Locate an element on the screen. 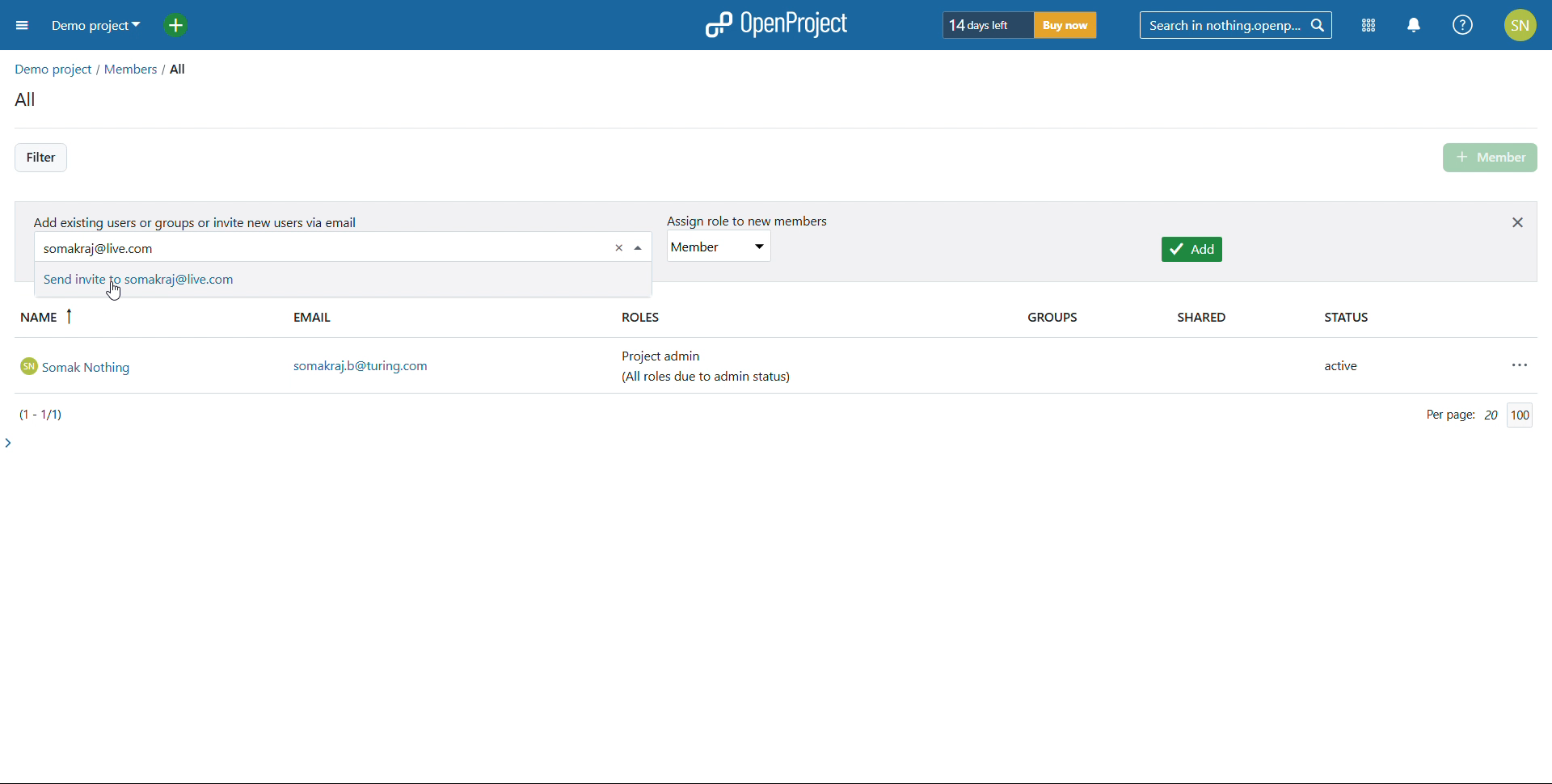  somakraj.b@turing.com is located at coordinates (449, 367).